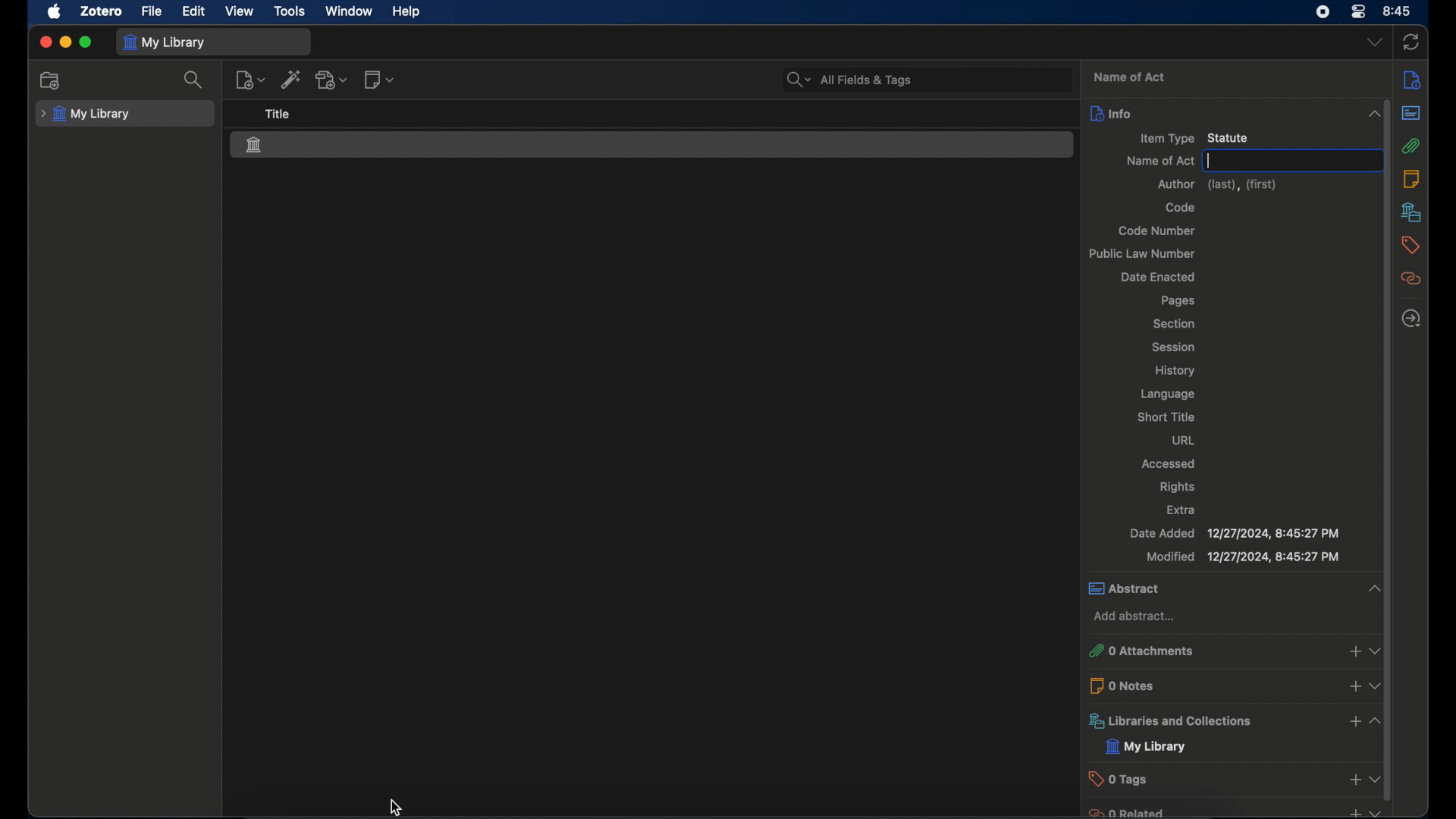  What do you see at coordinates (1181, 440) in the screenshot?
I see `url` at bounding box center [1181, 440].